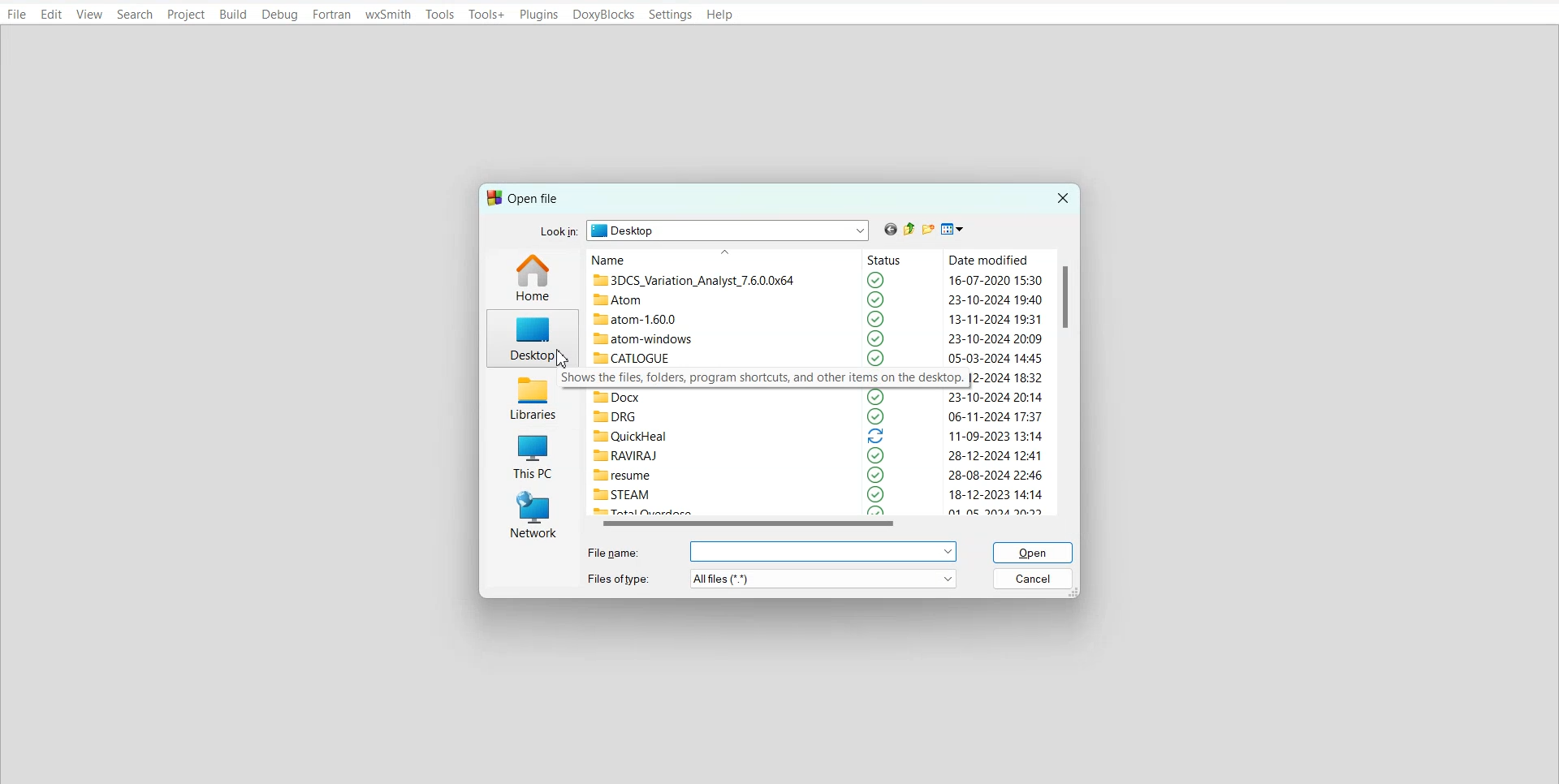 The width and height of the screenshot is (1559, 784). What do you see at coordinates (877, 279) in the screenshot?
I see `selected logo` at bounding box center [877, 279].